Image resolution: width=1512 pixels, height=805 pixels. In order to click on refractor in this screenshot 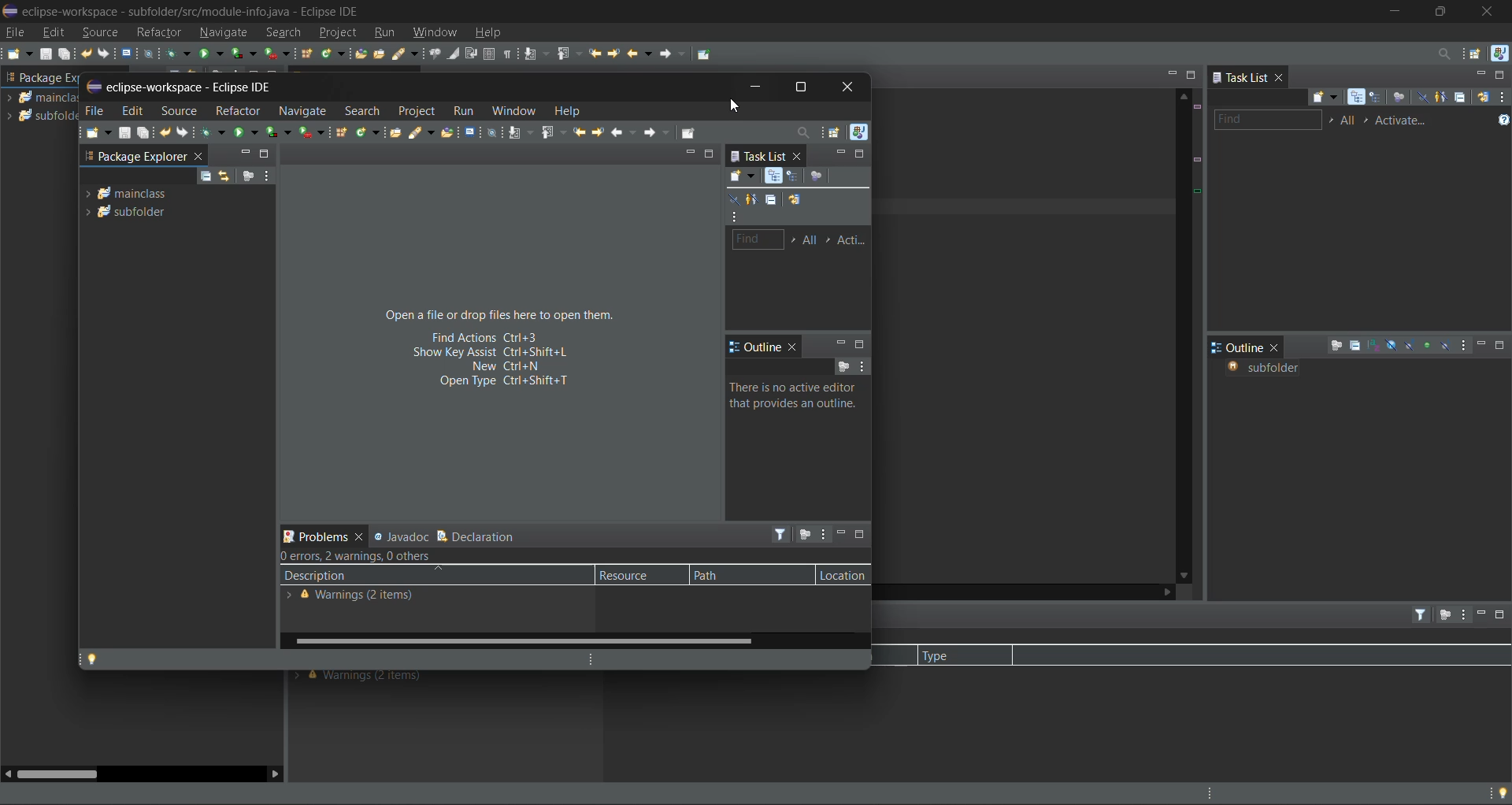, I will do `click(160, 33)`.